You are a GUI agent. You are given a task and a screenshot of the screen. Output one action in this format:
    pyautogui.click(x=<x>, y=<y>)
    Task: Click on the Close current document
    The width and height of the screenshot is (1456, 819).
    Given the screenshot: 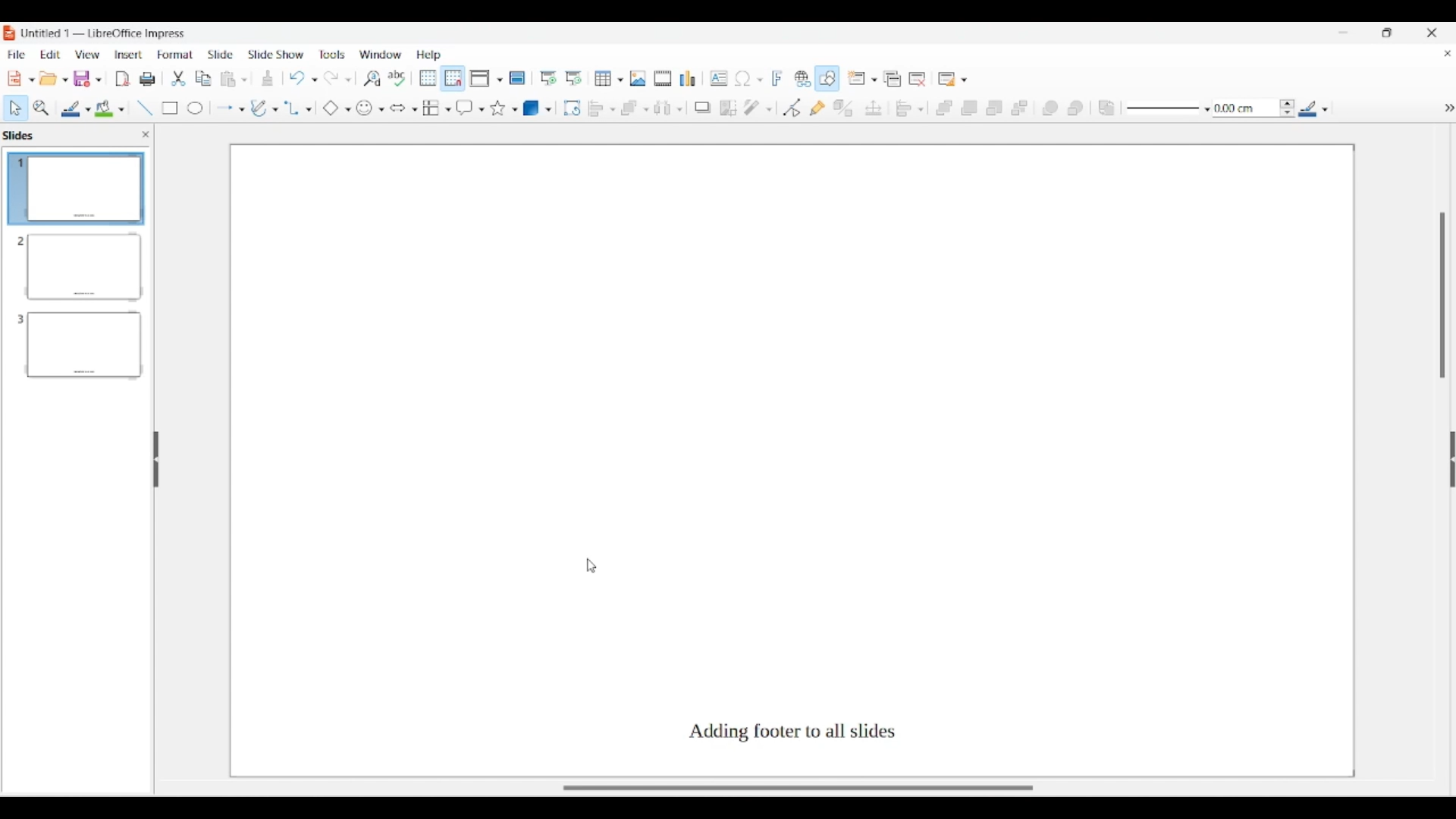 What is the action you would take?
    pyautogui.click(x=1448, y=53)
    